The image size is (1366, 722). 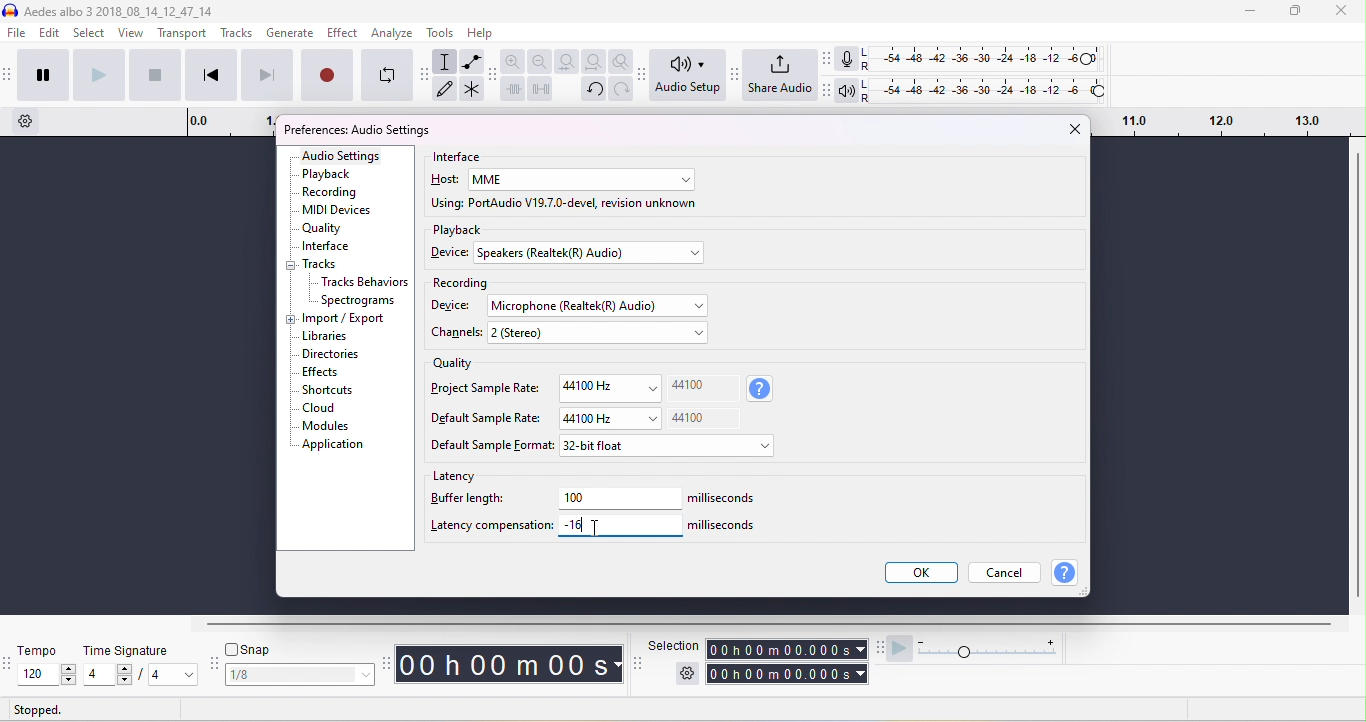 I want to click on time signature, so click(x=127, y=650).